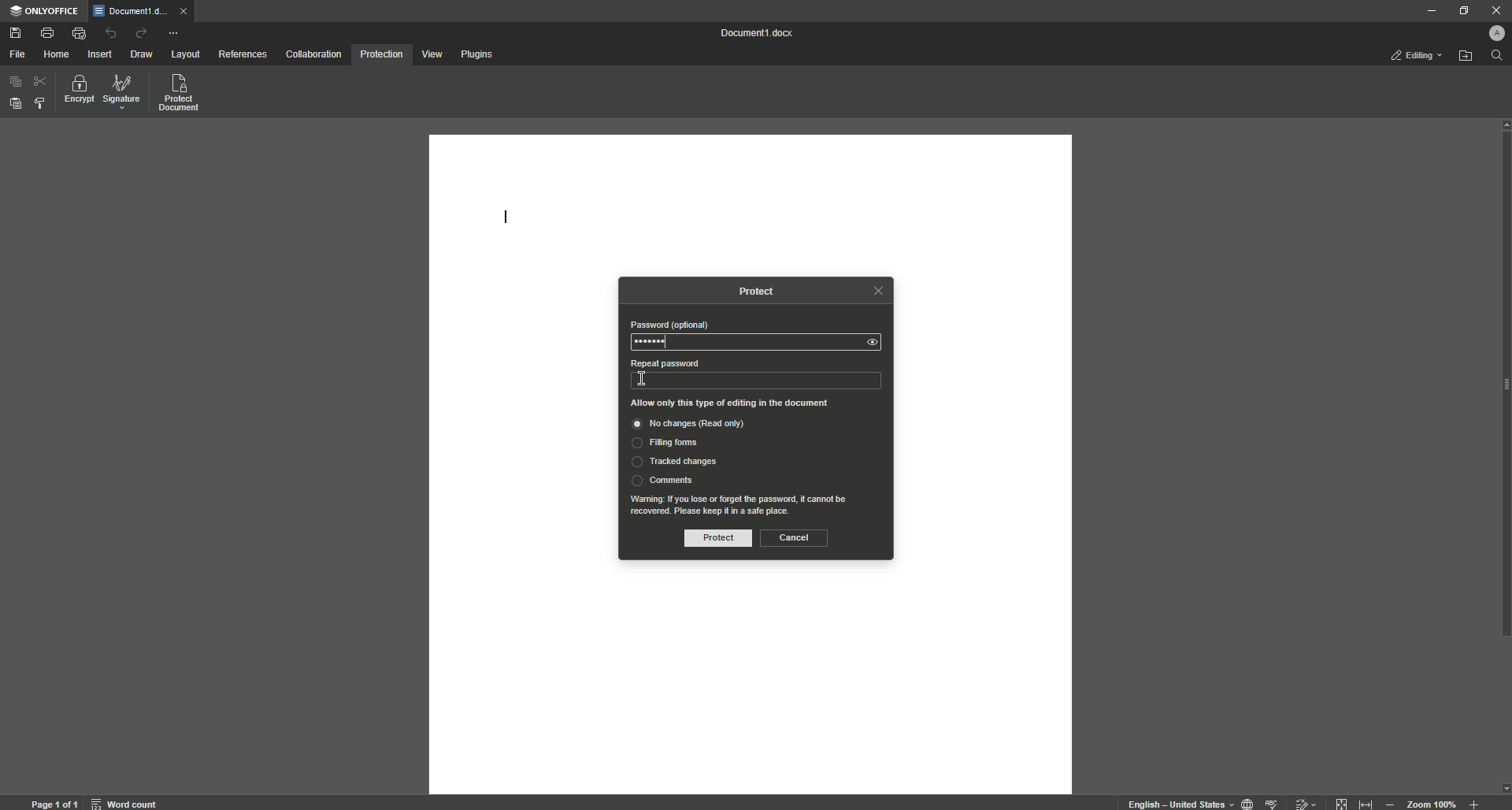 Image resolution: width=1512 pixels, height=810 pixels. Describe the element at coordinates (17, 54) in the screenshot. I see `File` at that location.